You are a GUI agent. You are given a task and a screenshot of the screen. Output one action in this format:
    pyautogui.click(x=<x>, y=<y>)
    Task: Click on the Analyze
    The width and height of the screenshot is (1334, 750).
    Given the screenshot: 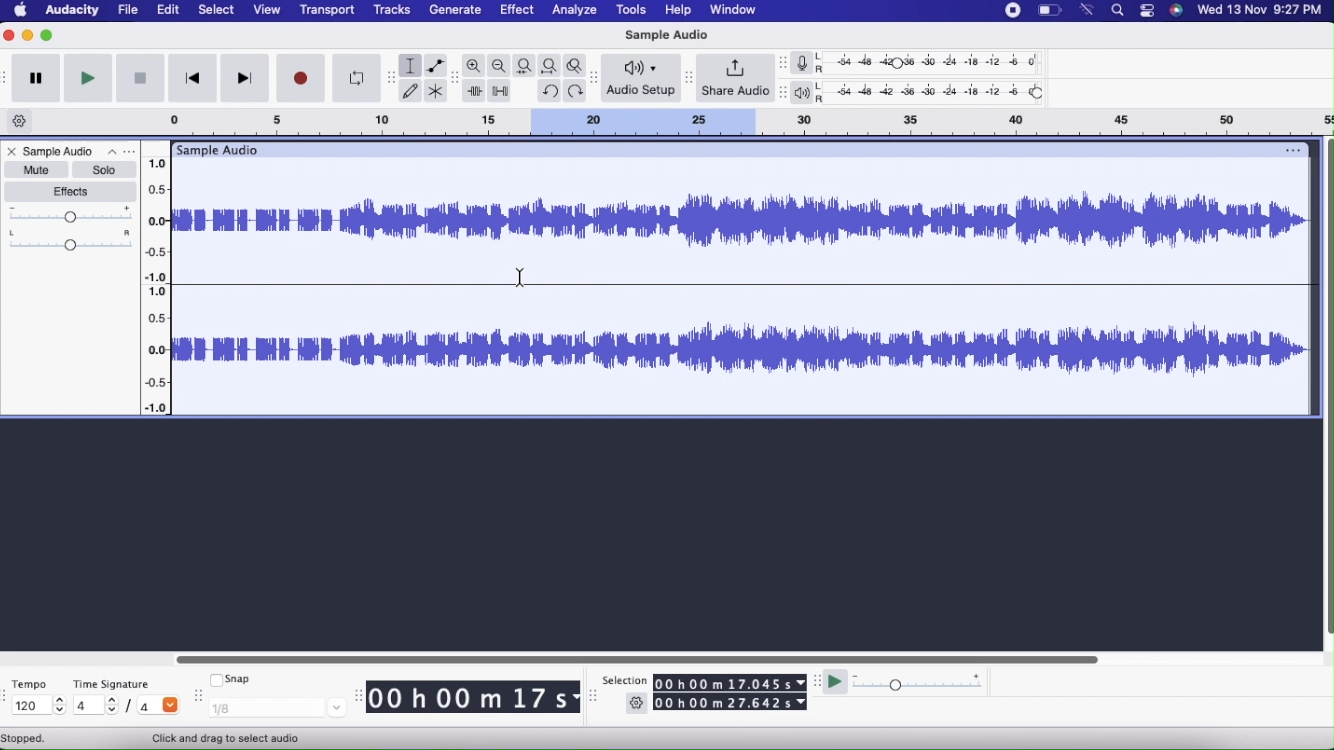 What is the action you would take?
    pyautogui.click(x=577, y=10)
    